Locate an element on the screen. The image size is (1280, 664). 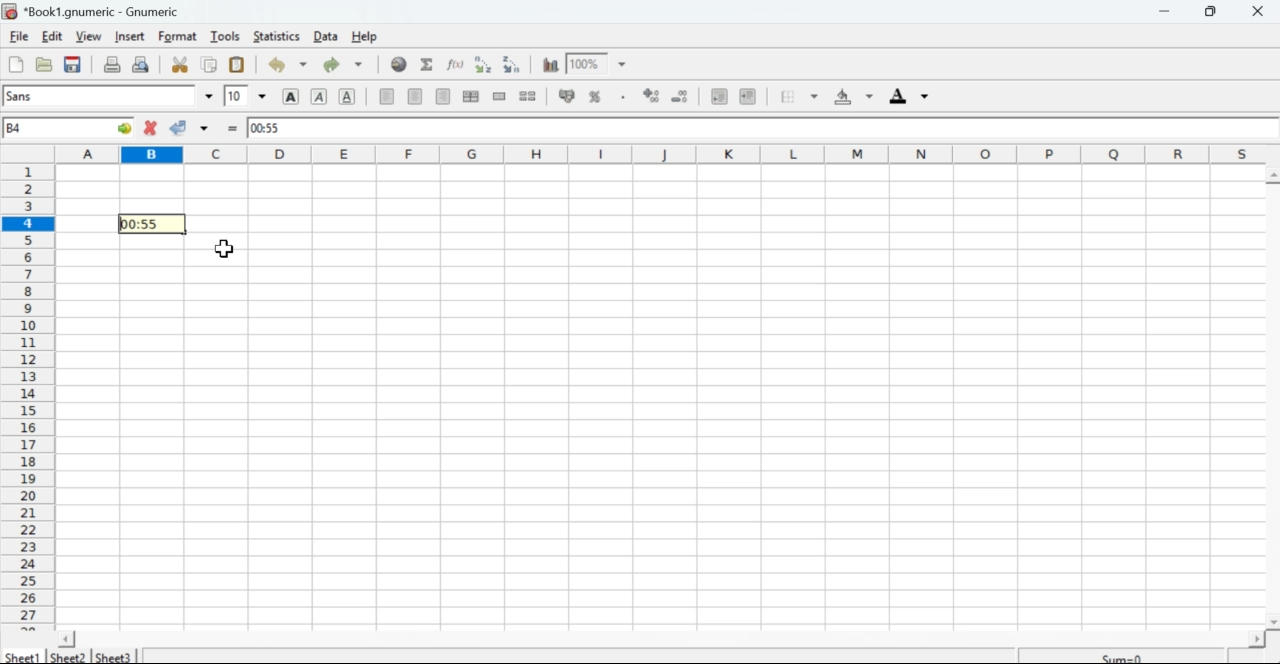
Sheet 2 is located at coordinates (70, 657).